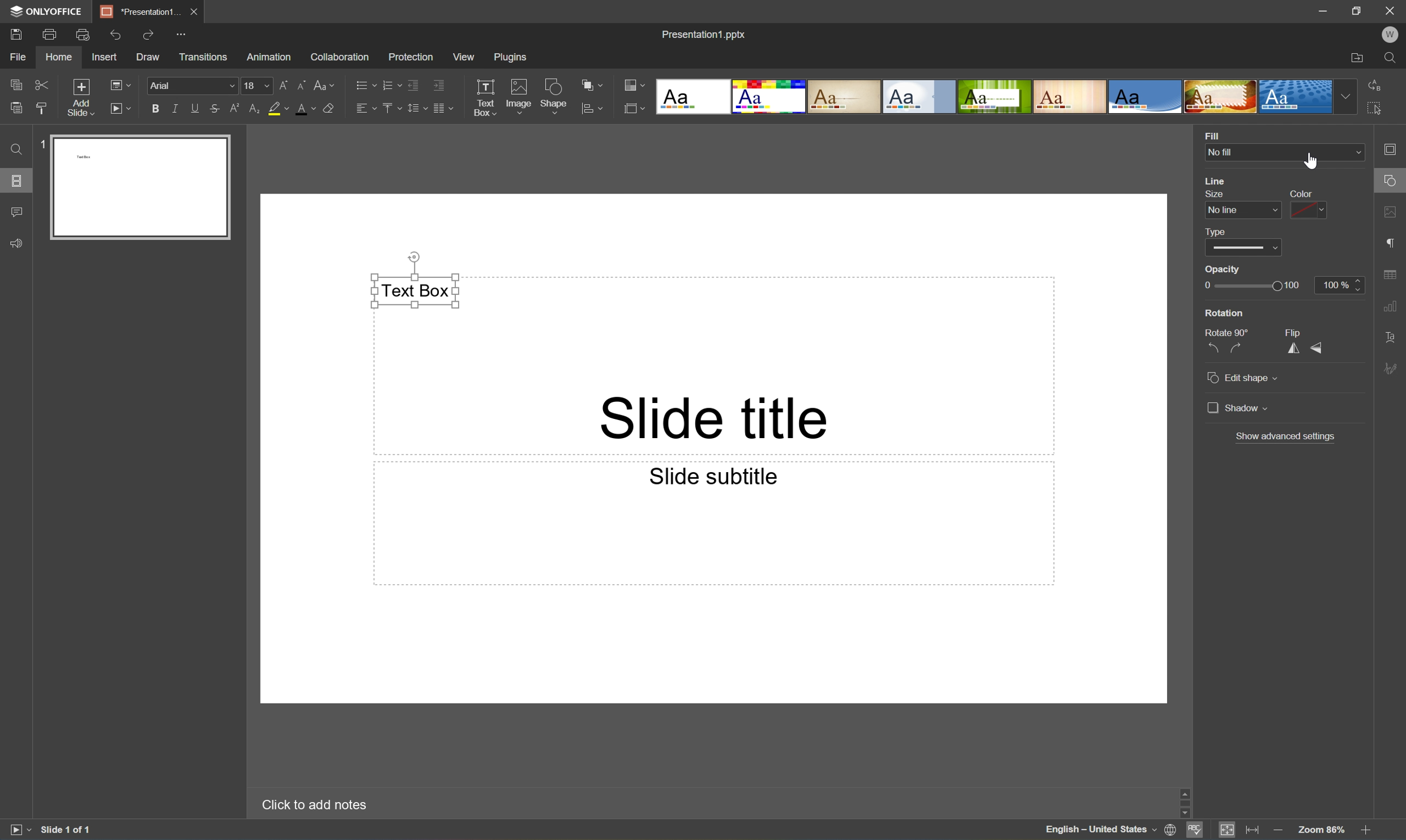 Image resolution: width=1406 pixels, height=840 pixels. What do you see at coordinates (43, 142) in the screenshot?
I see `1` at bounding box center [43, 142].